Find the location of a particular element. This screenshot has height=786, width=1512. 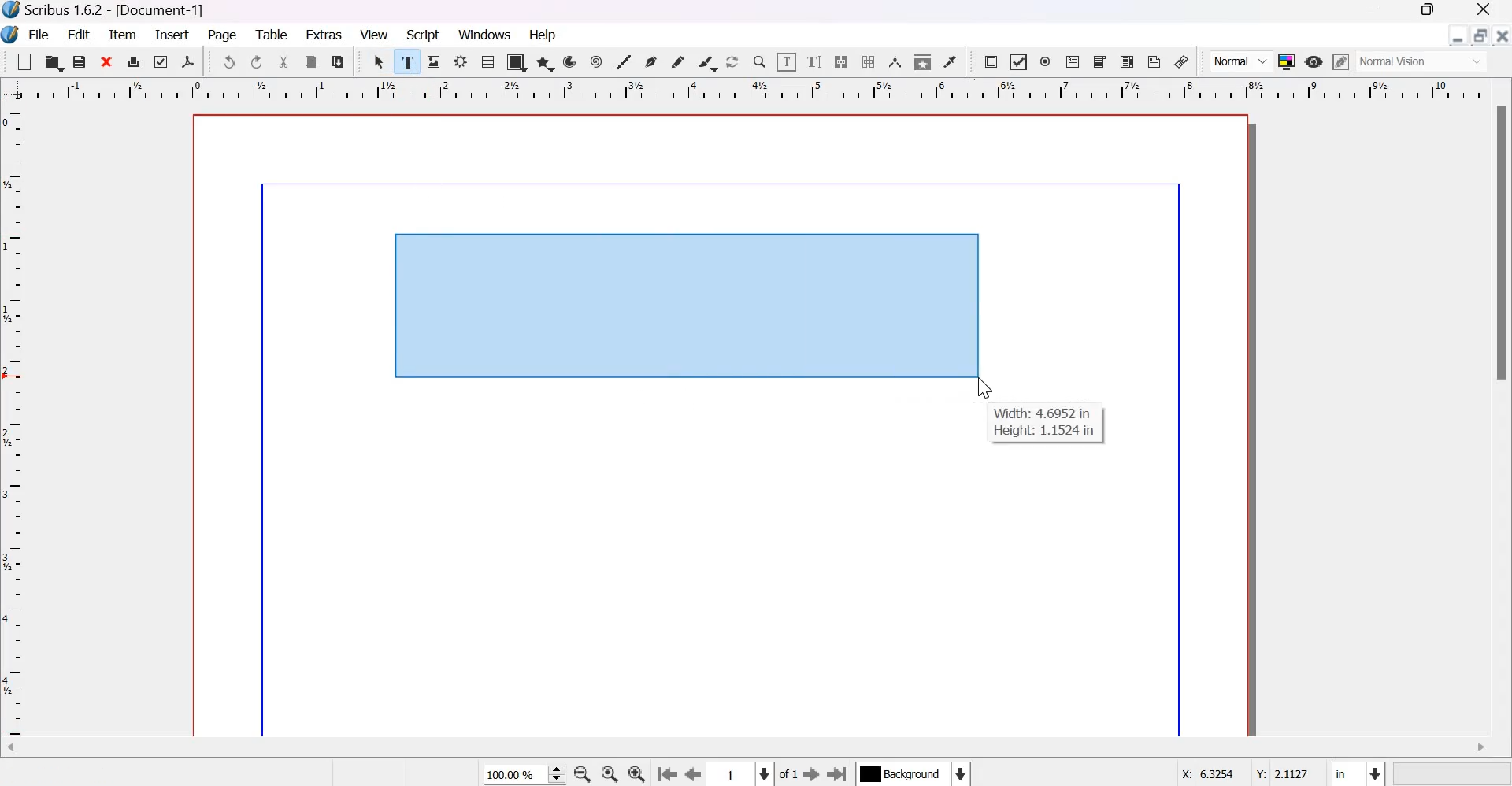

X: 6.3254 is located at coordinates (1202, 773).